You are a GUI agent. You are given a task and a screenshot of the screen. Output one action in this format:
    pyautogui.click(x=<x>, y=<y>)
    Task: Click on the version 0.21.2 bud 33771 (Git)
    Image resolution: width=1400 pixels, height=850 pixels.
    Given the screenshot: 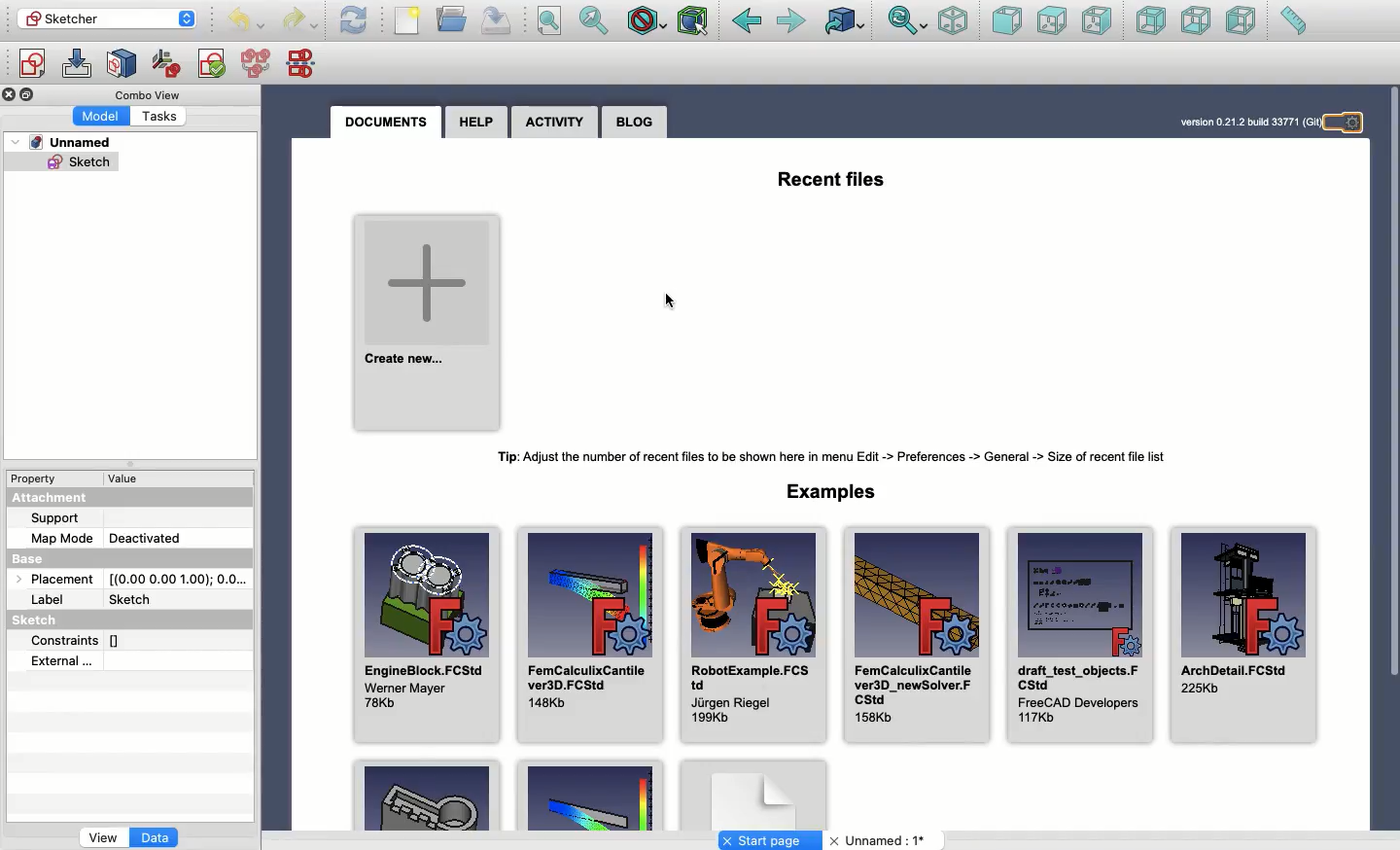 What is the action you would take?
    pyautogui.click(x=1246, y=121)
    